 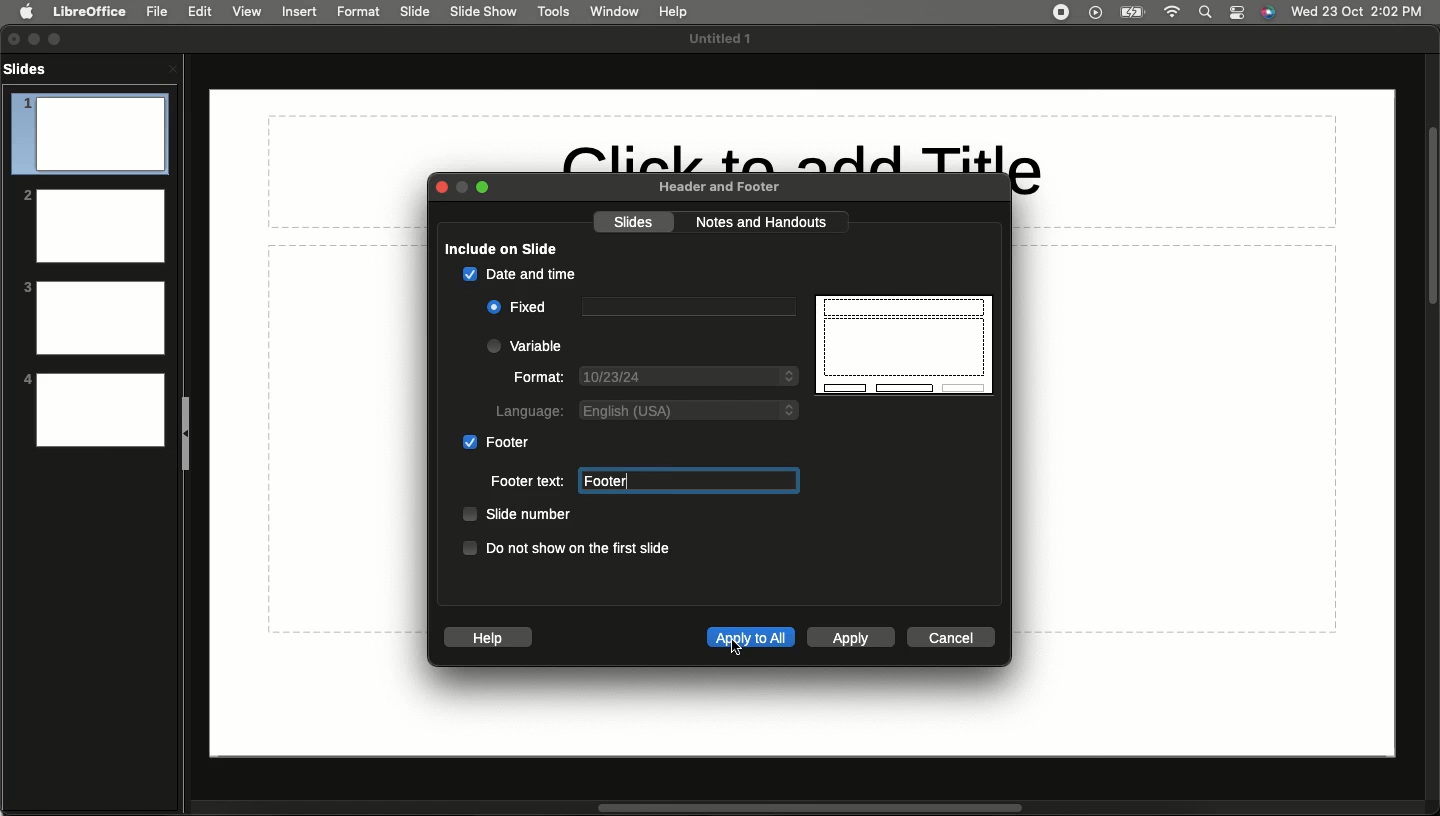 What do you see at coordinates (674, 12) in the screenshot?
I see `Hel` at bounding box center [674, 12].